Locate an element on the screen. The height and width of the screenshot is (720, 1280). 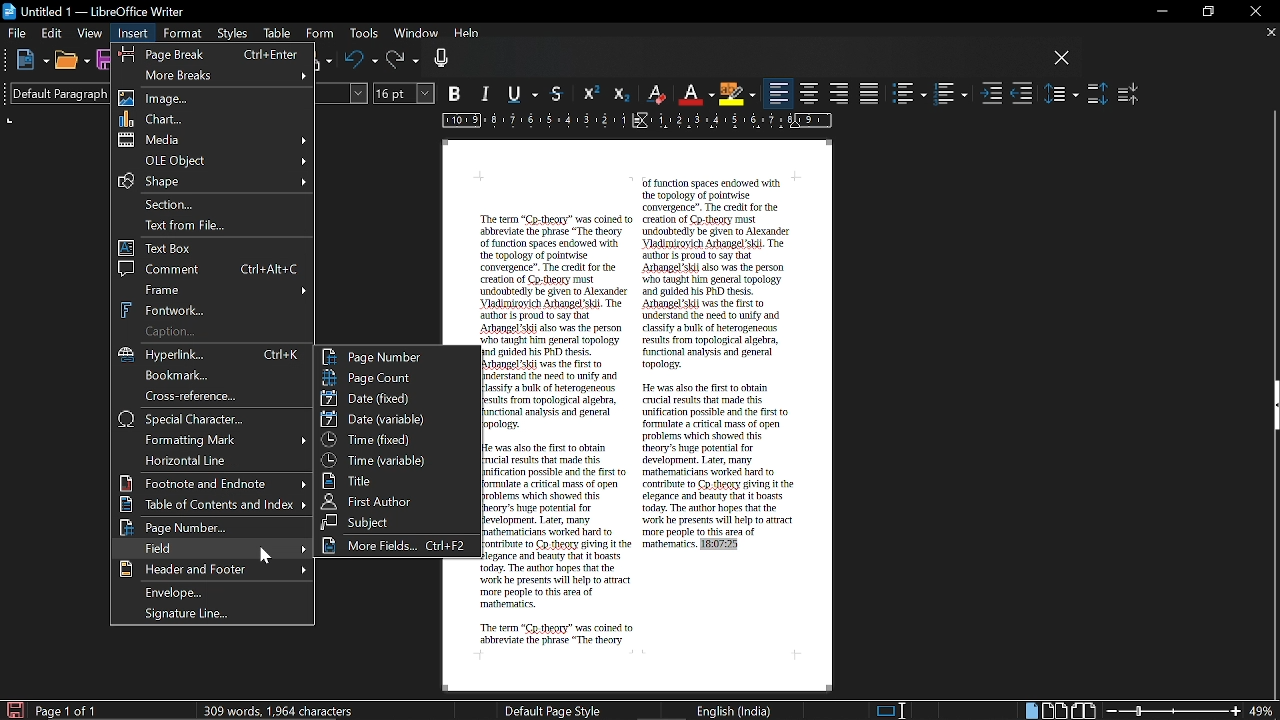
cross reference is located at coordinates (211, 396).